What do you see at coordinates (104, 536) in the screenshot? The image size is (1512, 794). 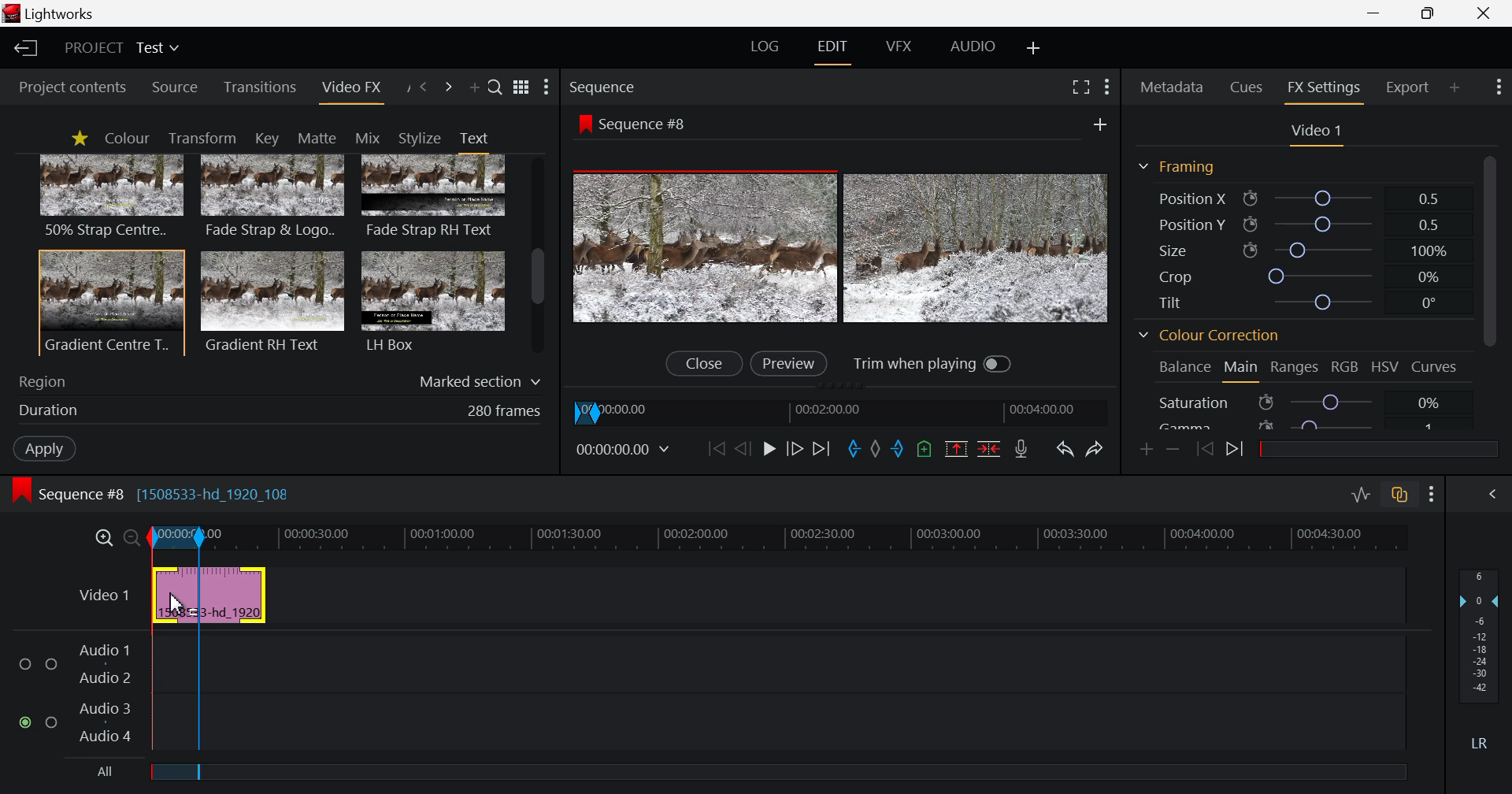 I see `Timeline Zoom In` at bounding box center [104, 536].